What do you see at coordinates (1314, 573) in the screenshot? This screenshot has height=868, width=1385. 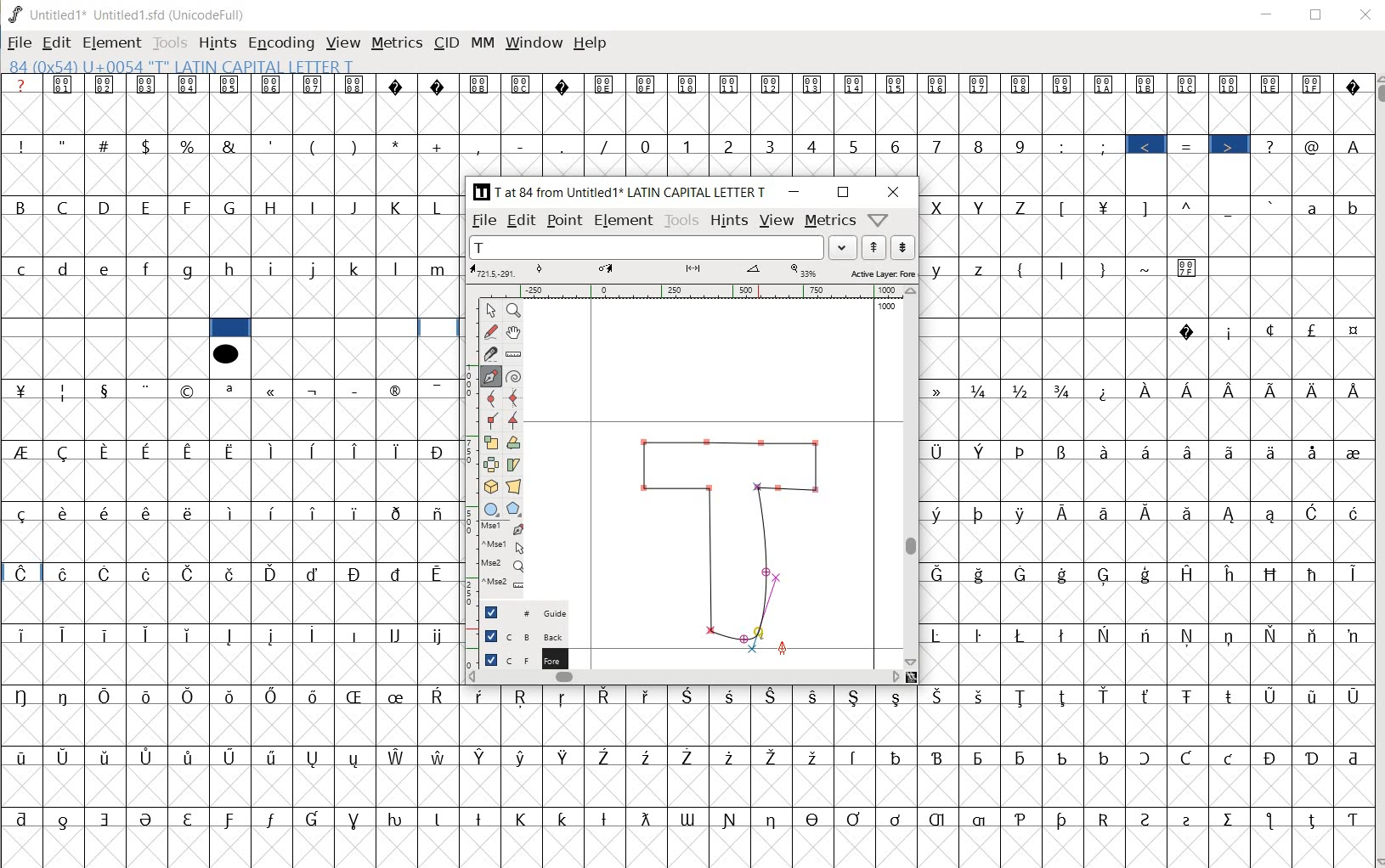 I see `Symbol` at bounding box center [1314, 573].